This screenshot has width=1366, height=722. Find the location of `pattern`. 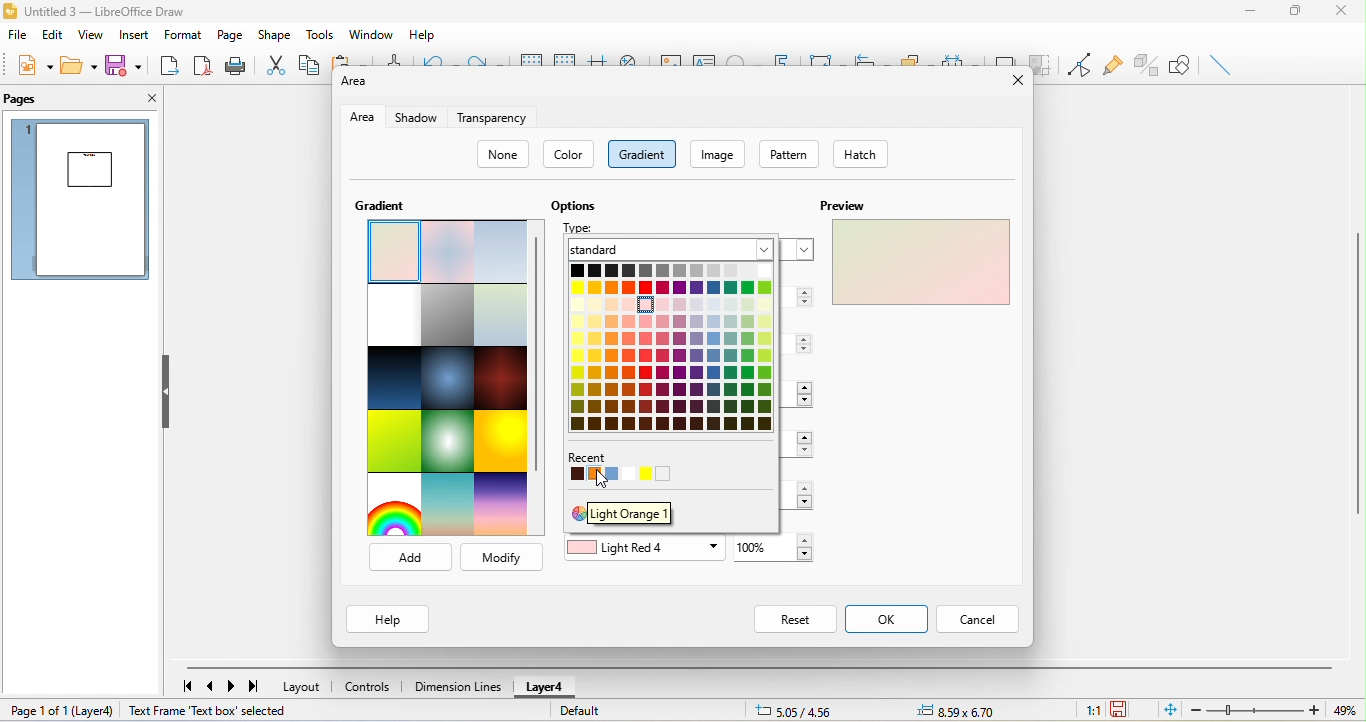

pattern is located at coordinates (794, 155).